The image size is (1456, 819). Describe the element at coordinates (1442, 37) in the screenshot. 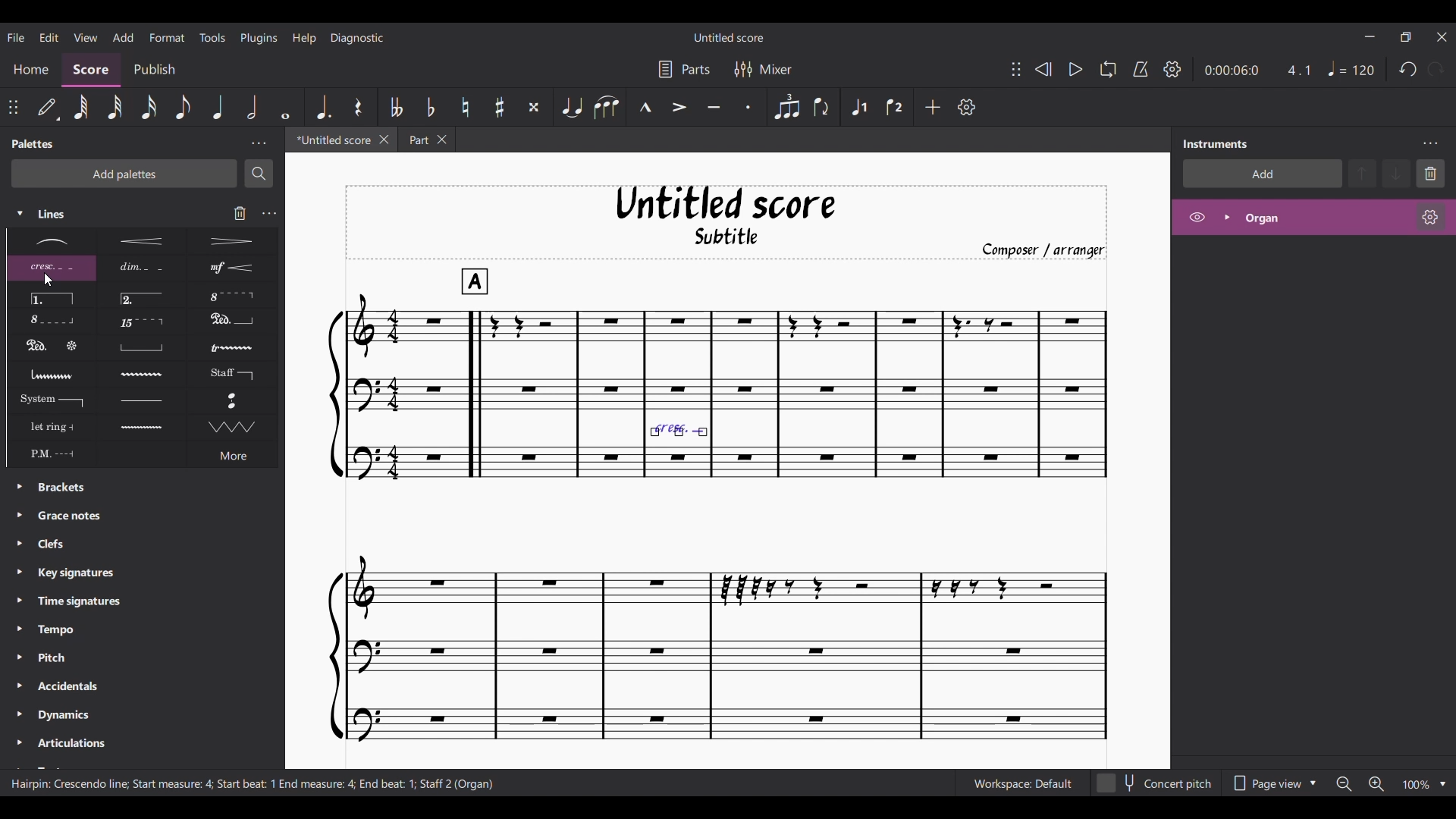

I see `Close interface` at that location.